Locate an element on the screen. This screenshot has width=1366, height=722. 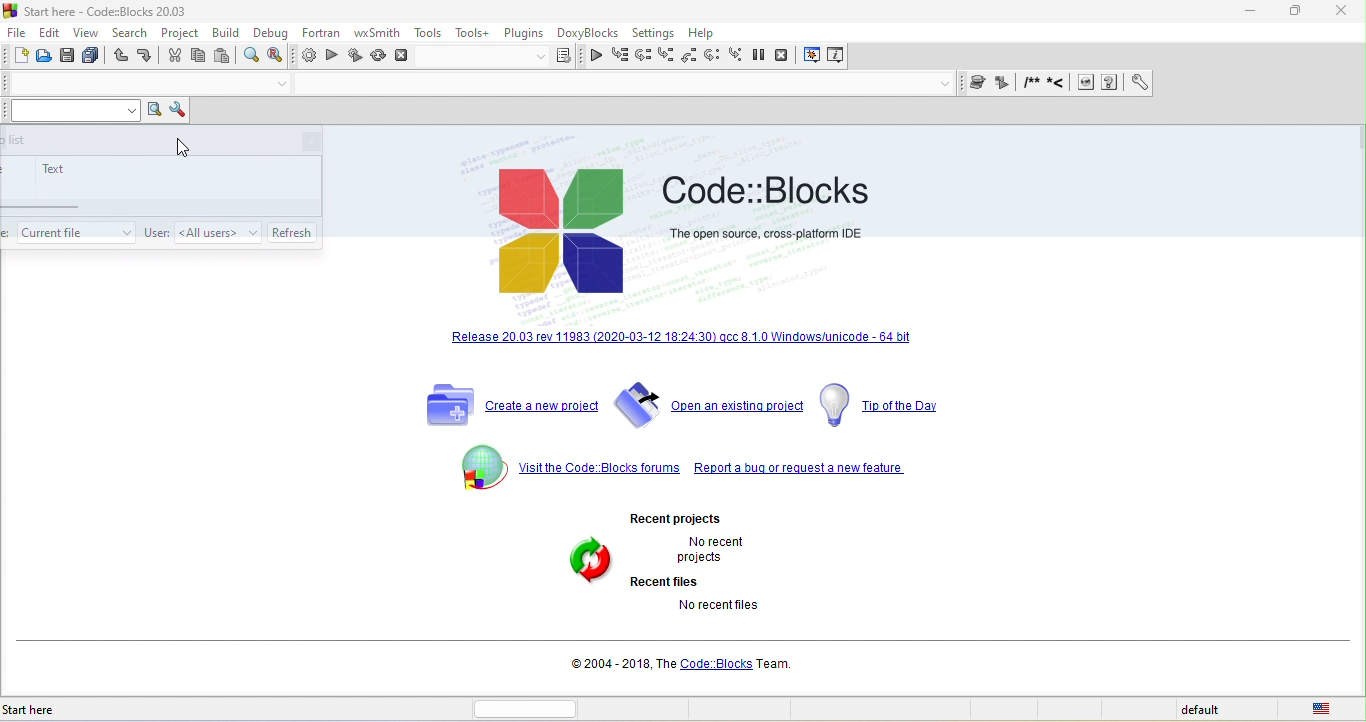
run  is located at coordinates (332, 57).